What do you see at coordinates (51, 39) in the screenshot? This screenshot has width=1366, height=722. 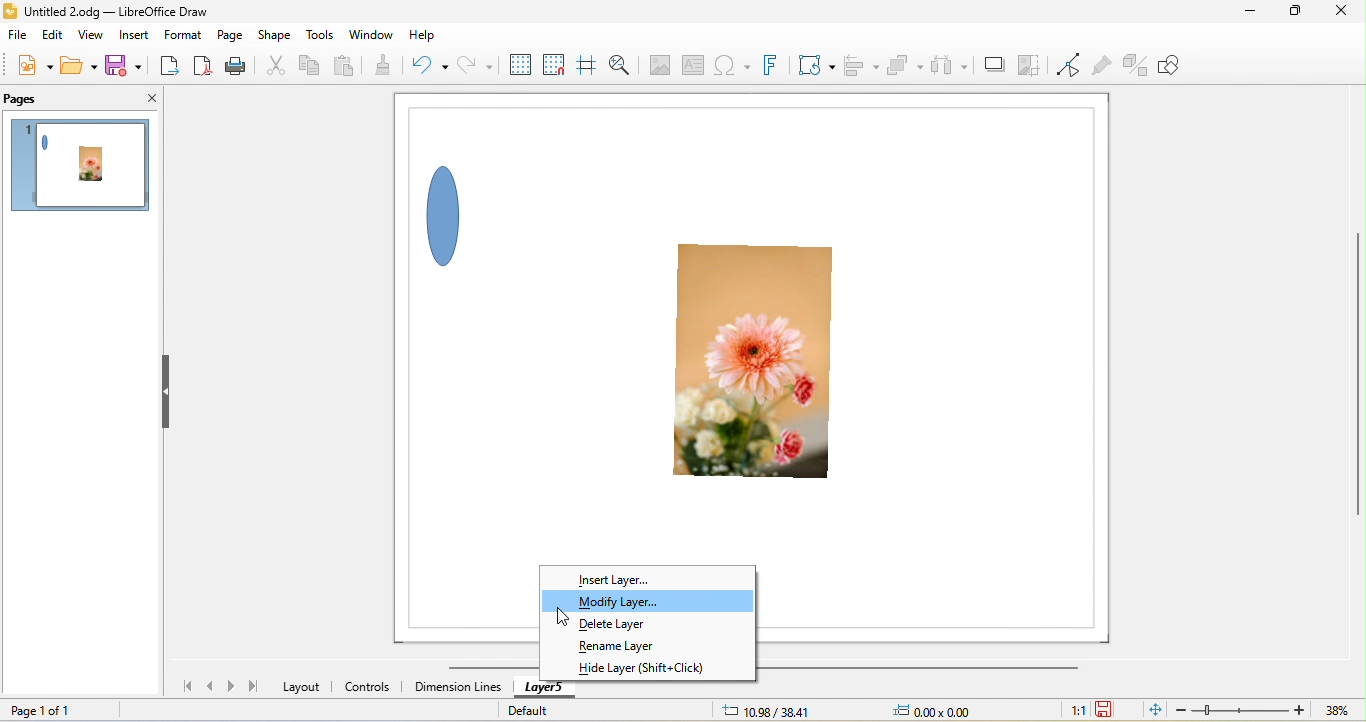 I see `edit` at bounding box center [51, 39].